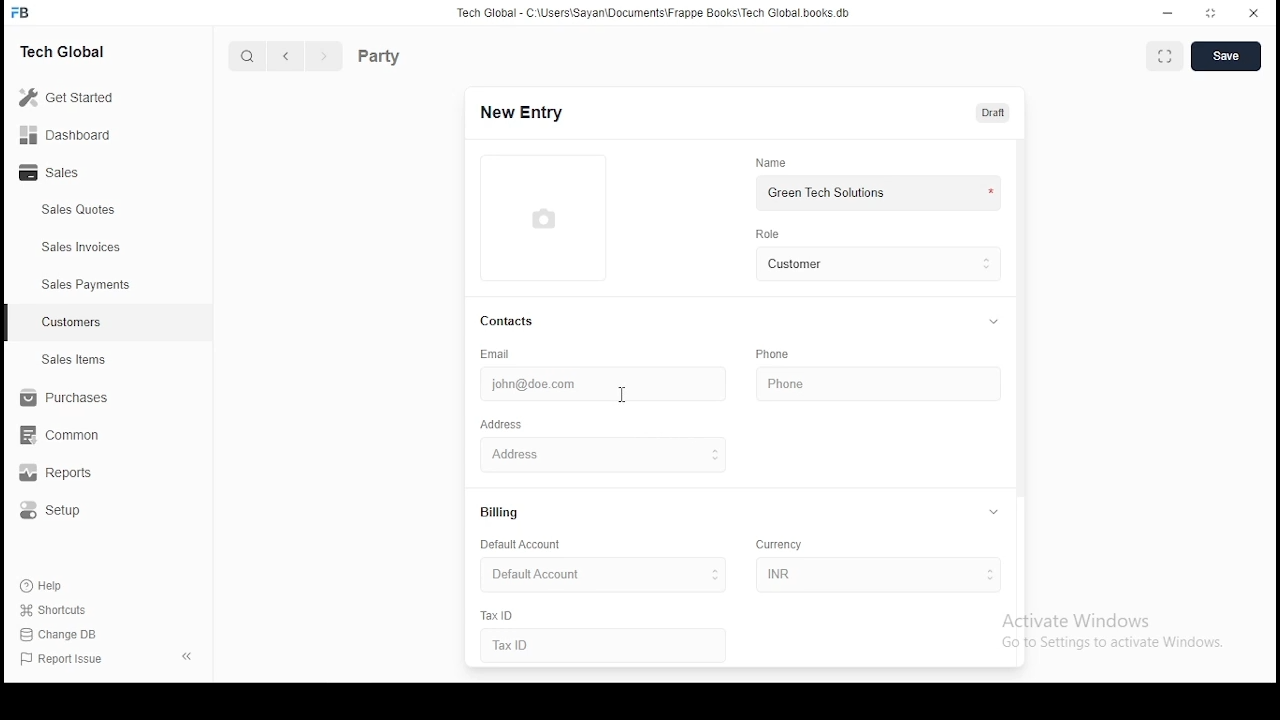 This screenshot has height=720, width=1280. Describe the element at coordinates (583, 385) in the screenshot. I see `john@doe.com` at that location.